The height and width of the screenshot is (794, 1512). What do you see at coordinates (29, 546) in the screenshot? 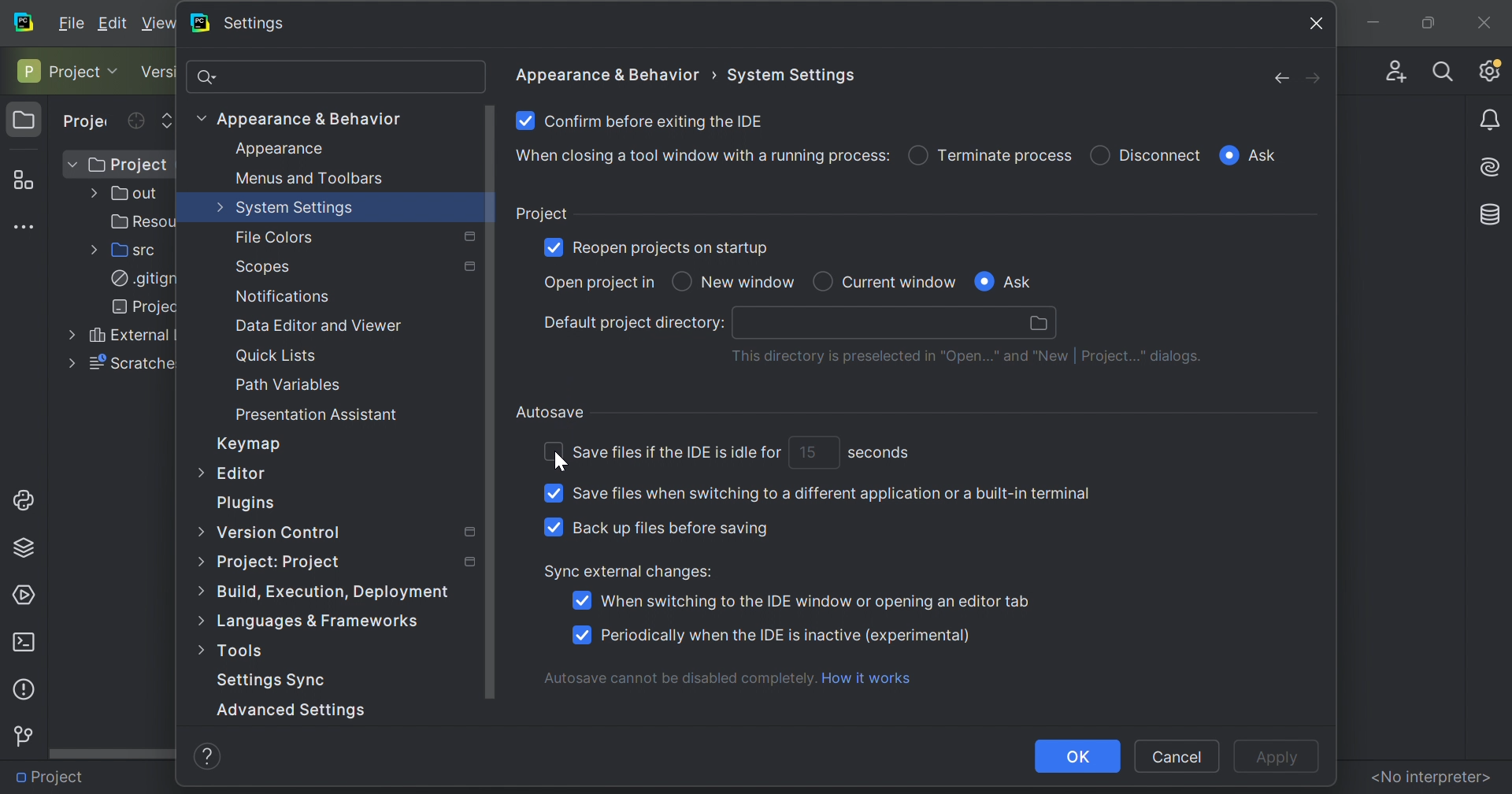
I see `Python packages` at bounding box center [29, 546].